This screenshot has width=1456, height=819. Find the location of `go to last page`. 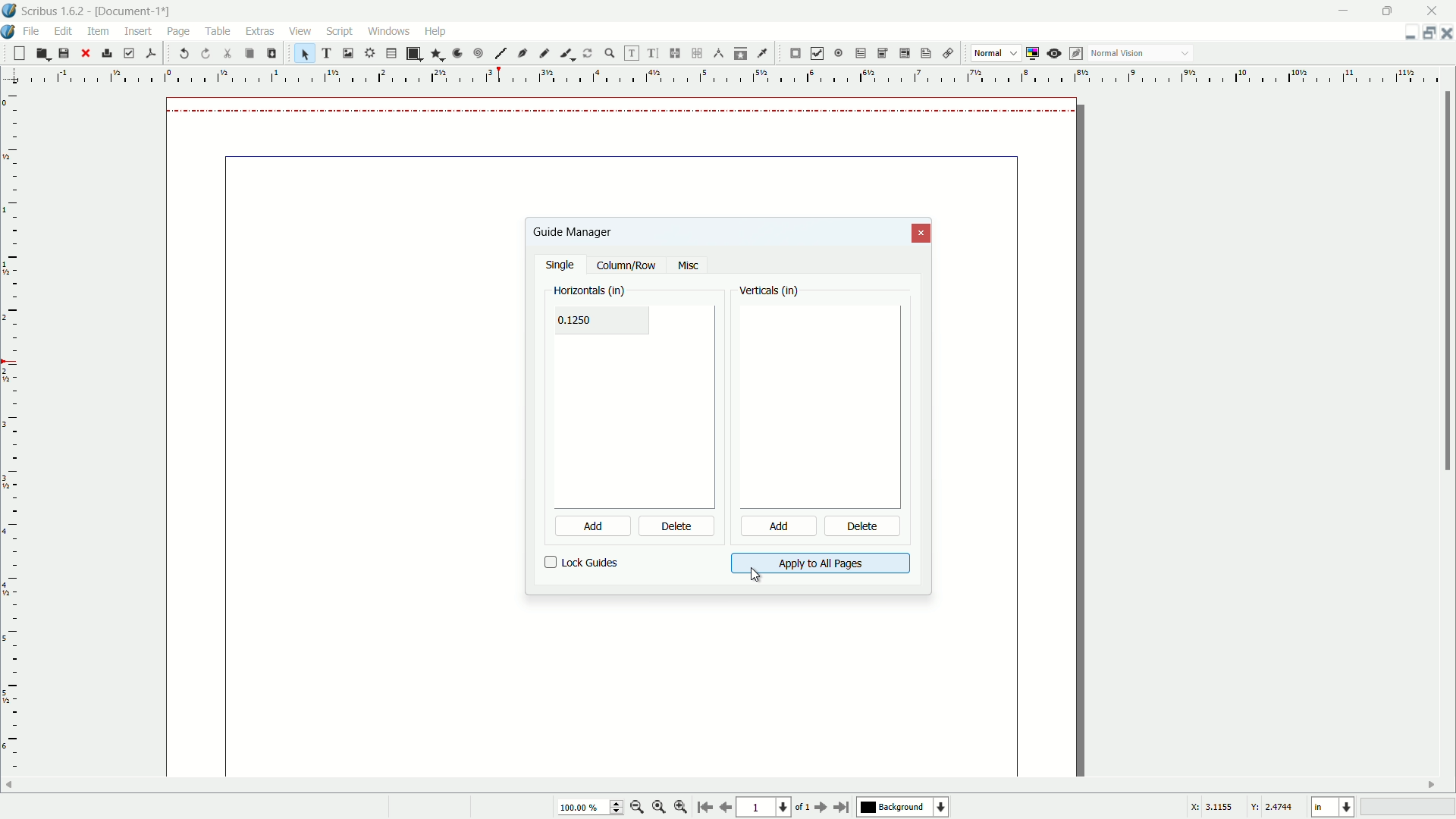

go to last page is located at coordinates (843, 807).